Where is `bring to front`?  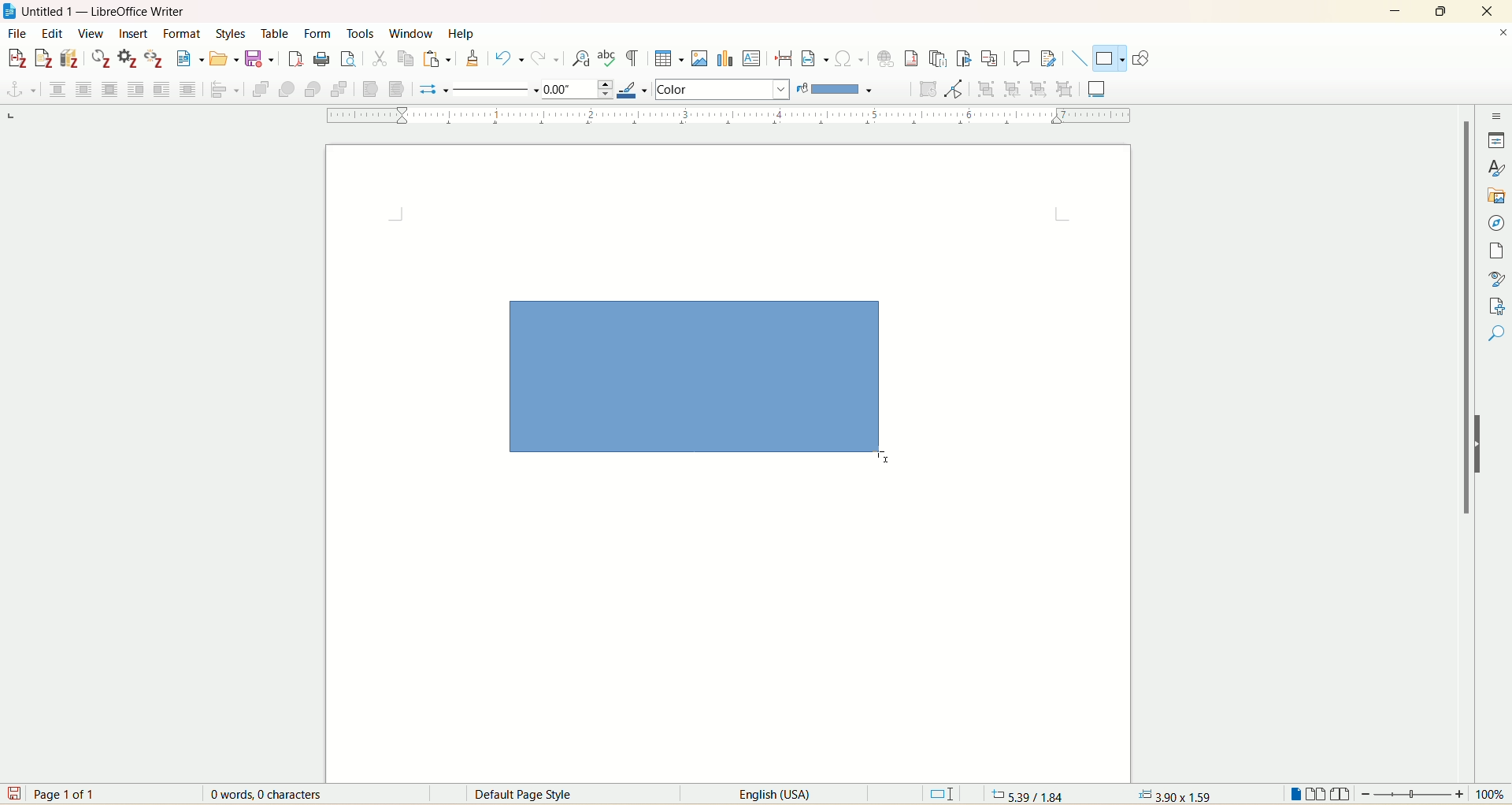
bring to front is located at coordinates (263, 89).